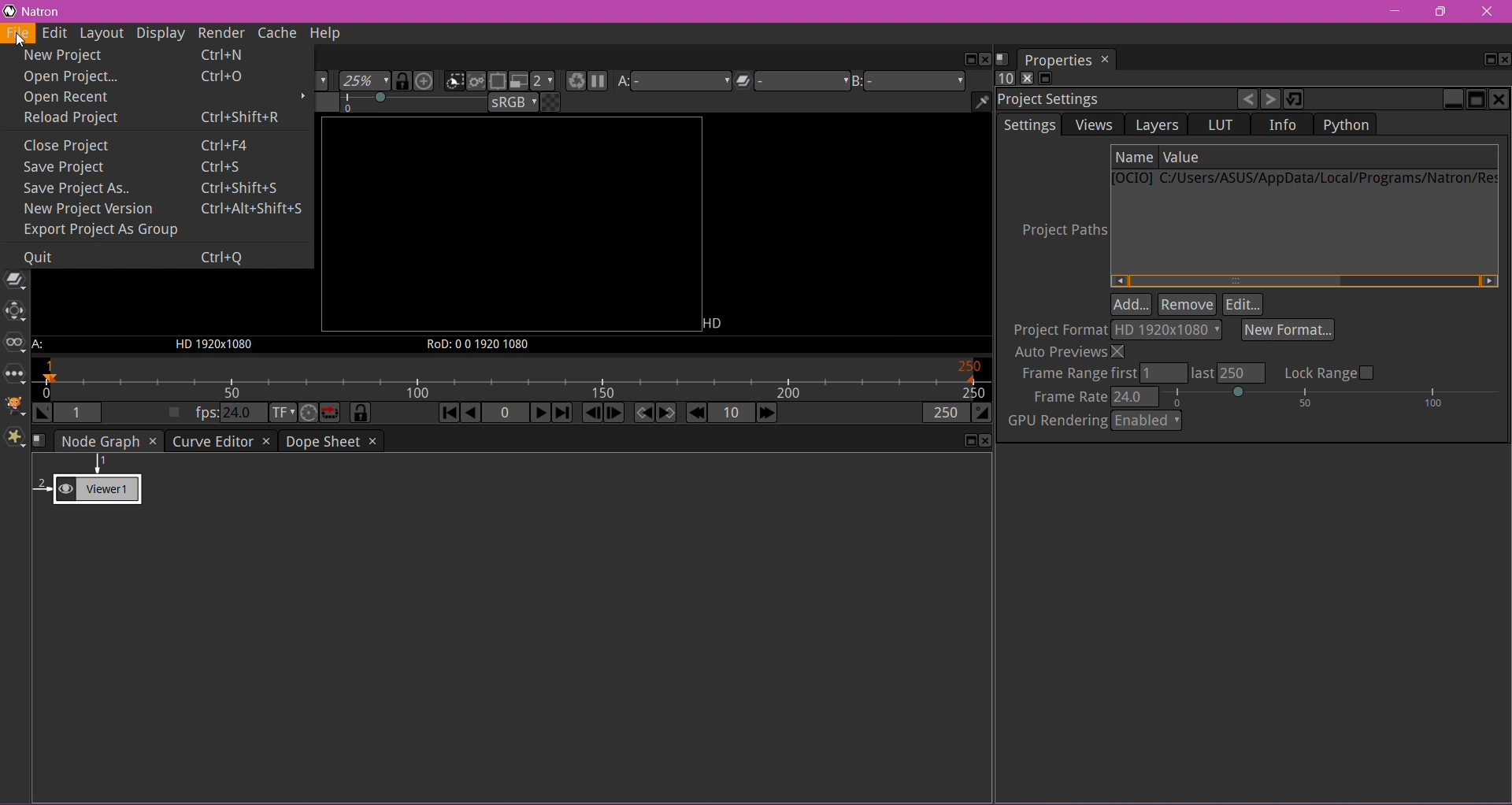  Describe the element at coordinates (150, 53) in the screenshot. I see `New Project` at that location.